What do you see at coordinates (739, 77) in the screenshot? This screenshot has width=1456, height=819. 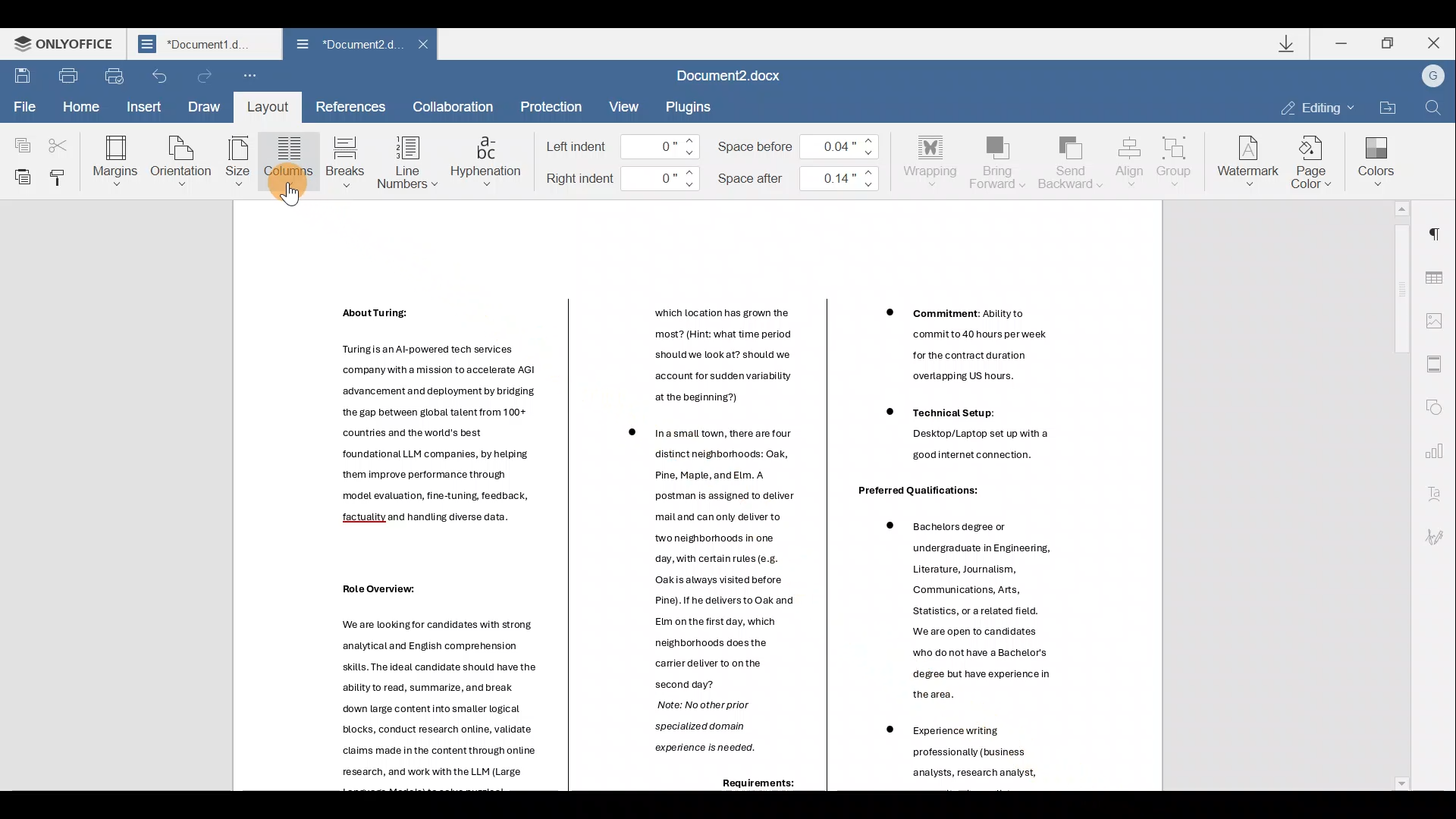 I see `Document2.docx` at bounding box center [739, 77].